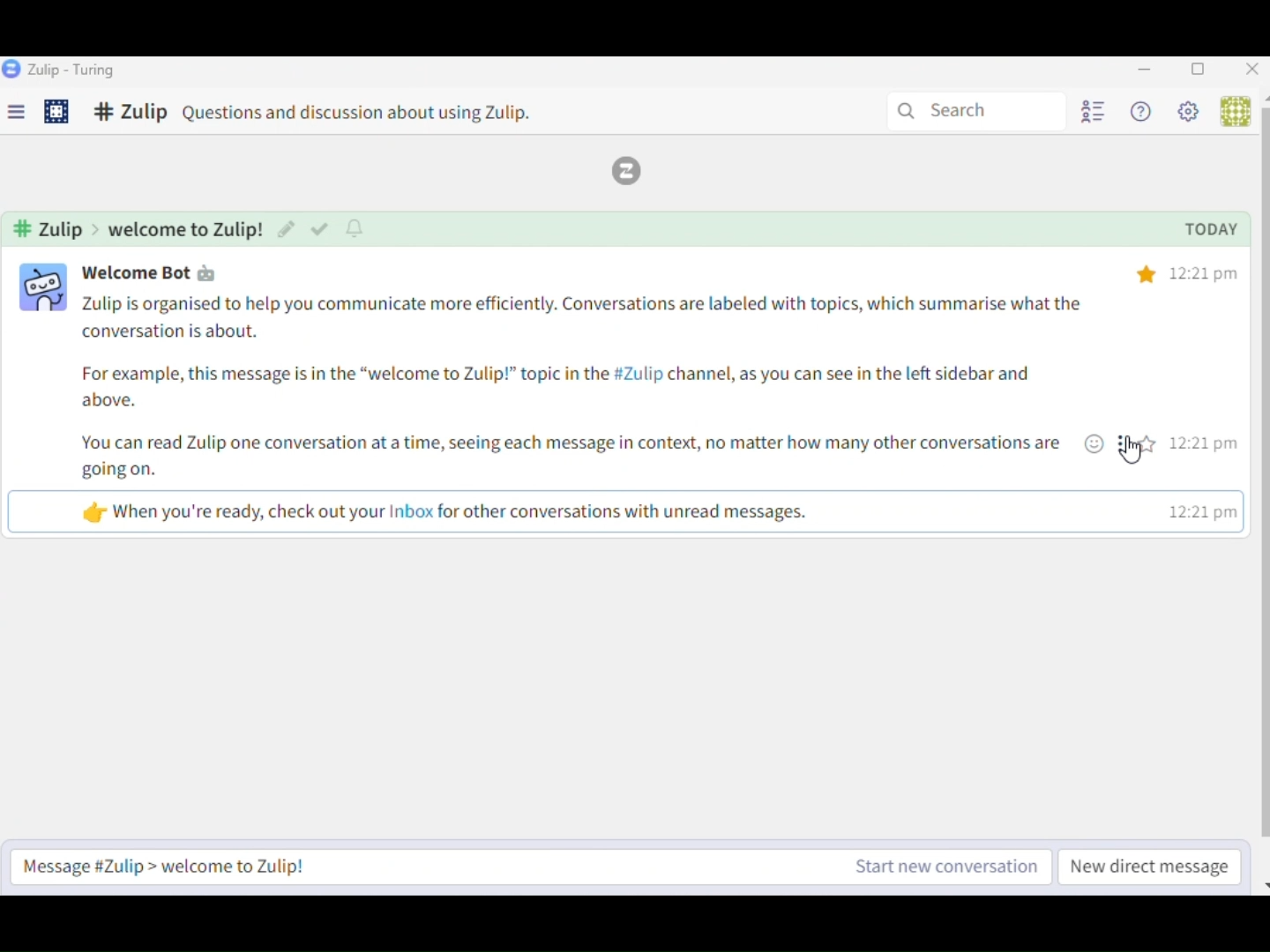 The width and height of the screenshot is (1270, 952). I want to click on Minimize, so click(1145, 71).